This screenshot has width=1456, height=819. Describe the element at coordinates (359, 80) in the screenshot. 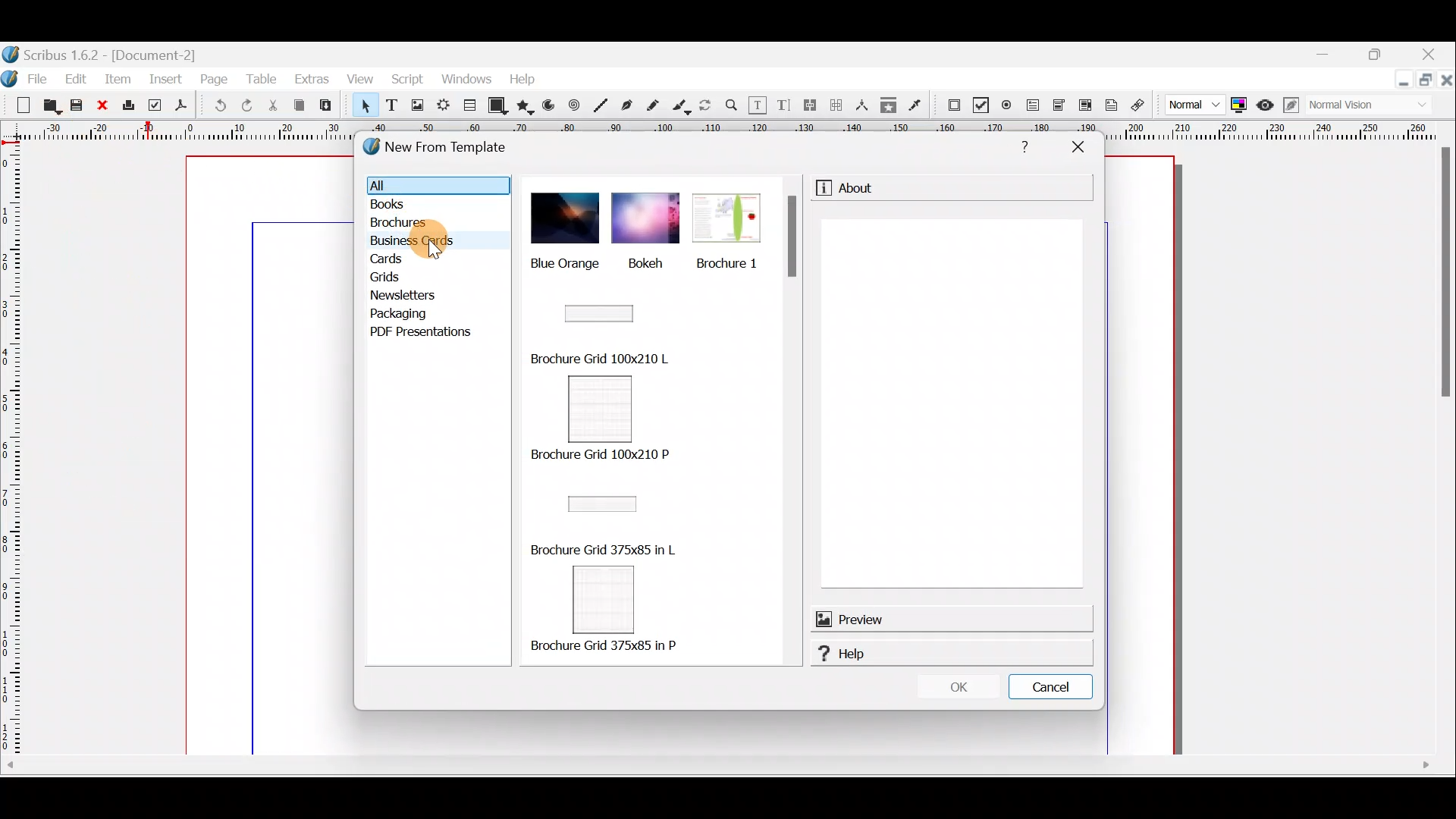

I see `View` at that location.